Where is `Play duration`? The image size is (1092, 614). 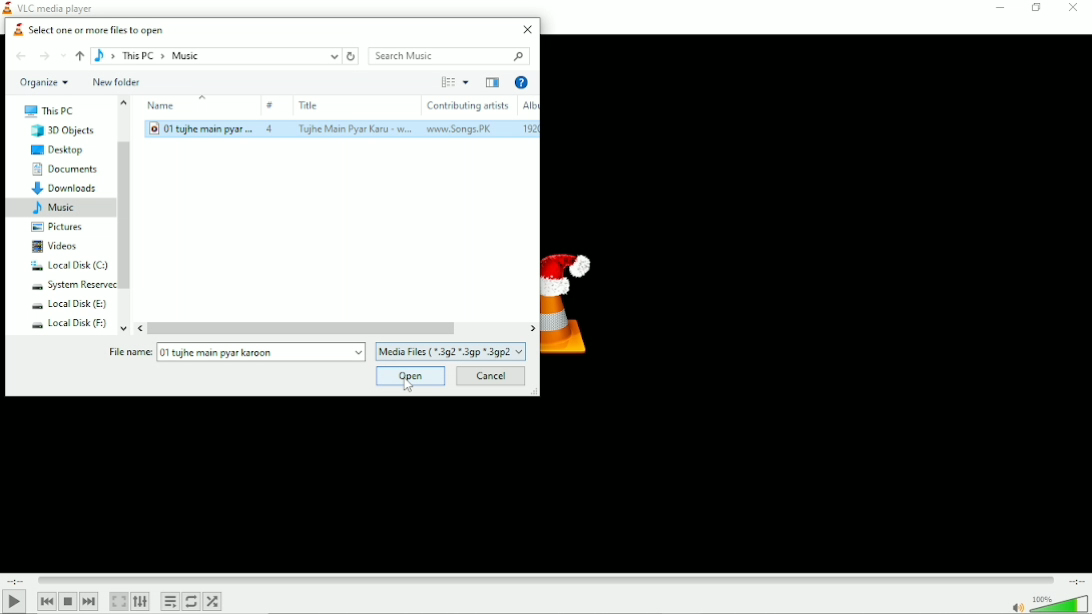 Play duration is located at coordinates (545, 580).